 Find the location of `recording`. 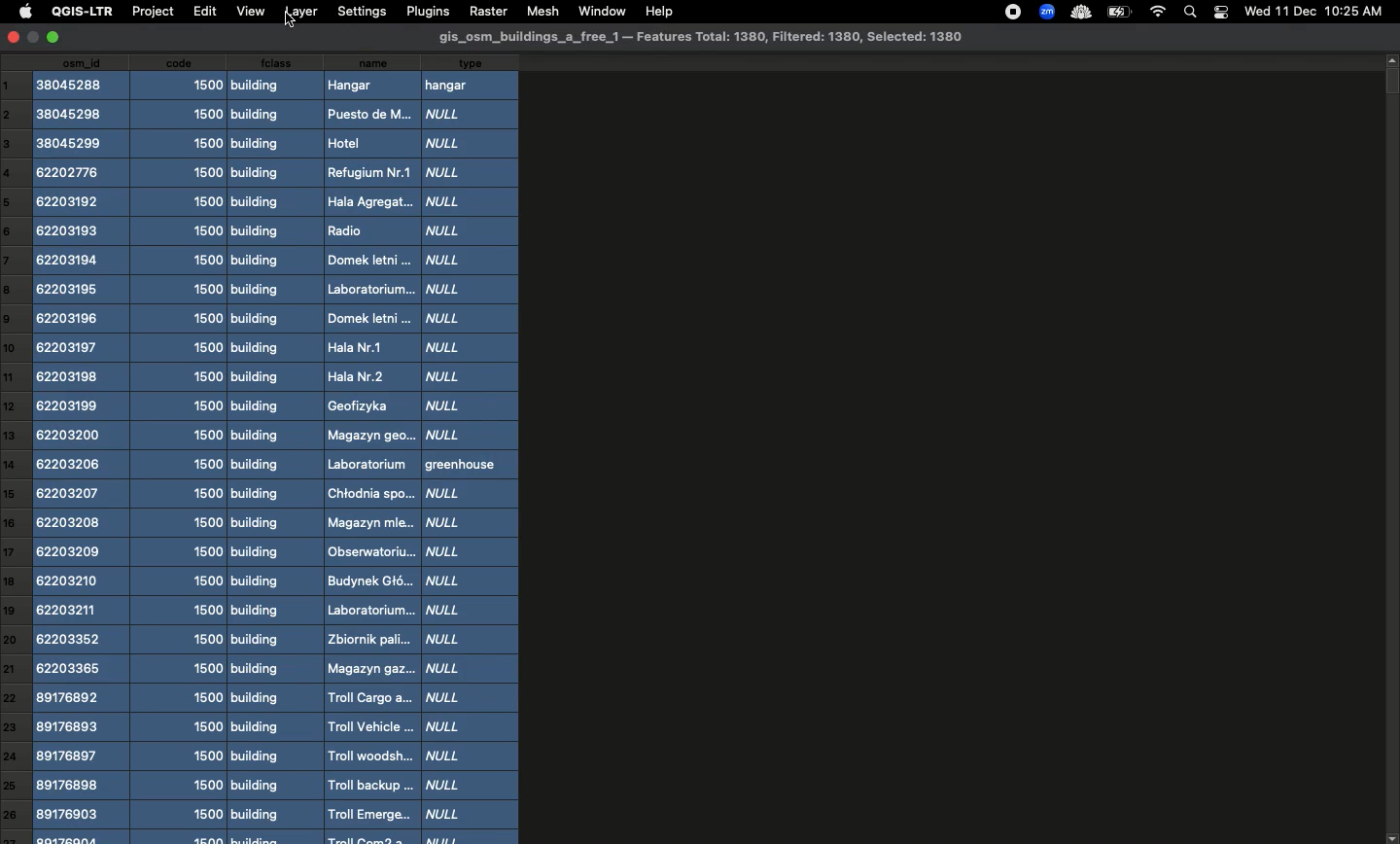

recording is located at coordinates (1008, 12).